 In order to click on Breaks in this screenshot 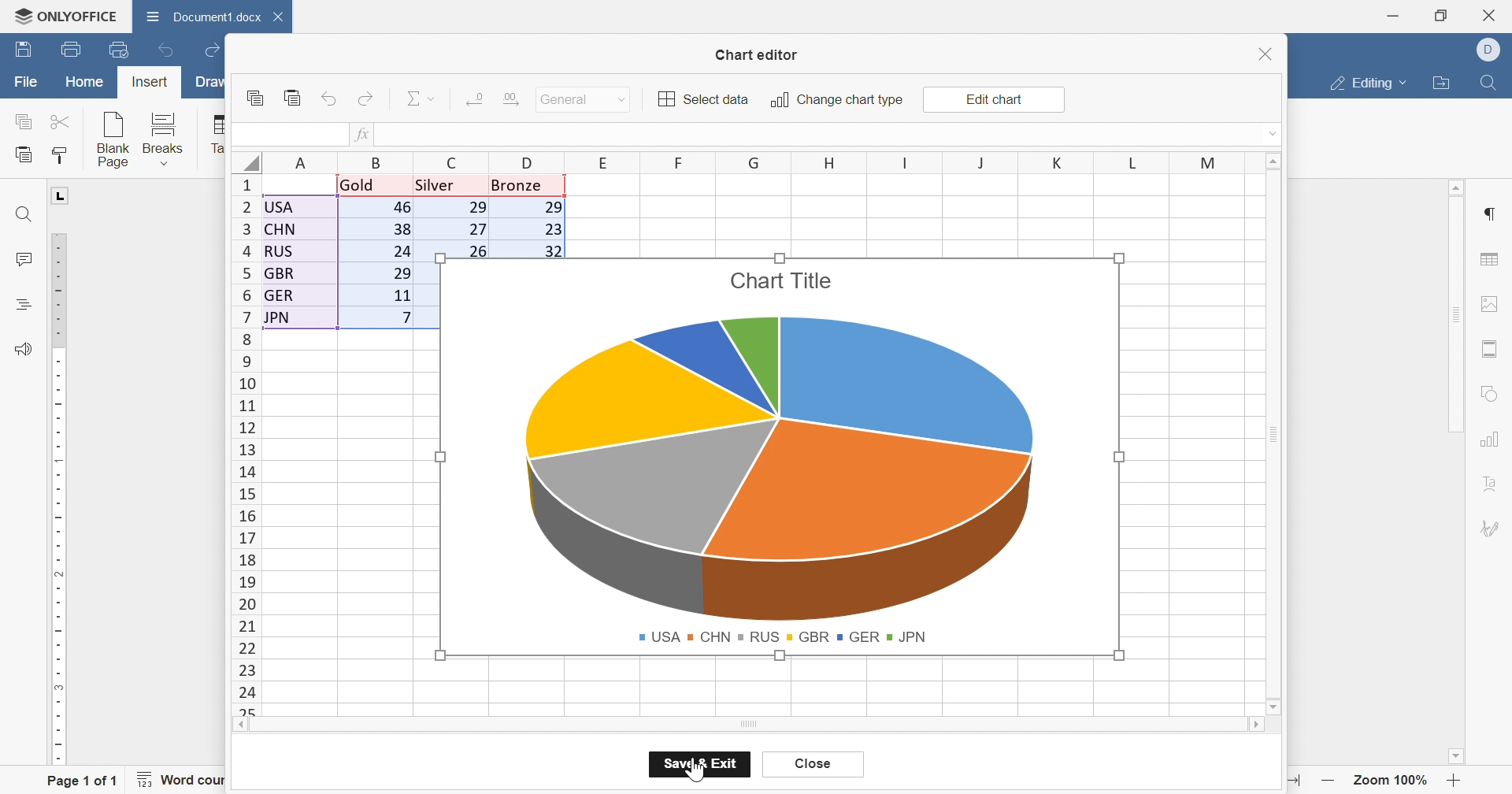, I will do `click(164, 138)`.